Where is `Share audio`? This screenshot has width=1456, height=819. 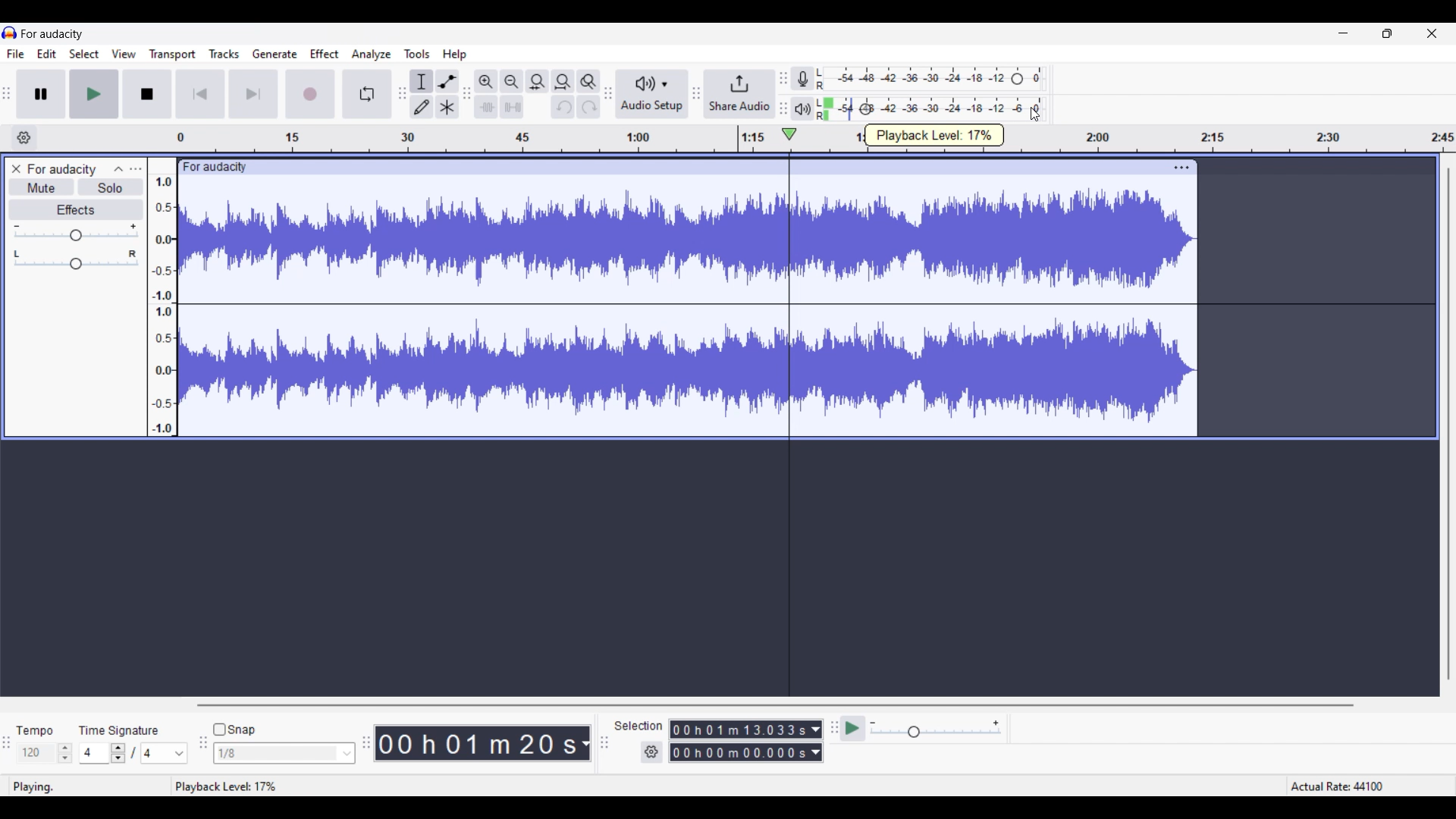 Share audio is located at coordinates (739, 94).